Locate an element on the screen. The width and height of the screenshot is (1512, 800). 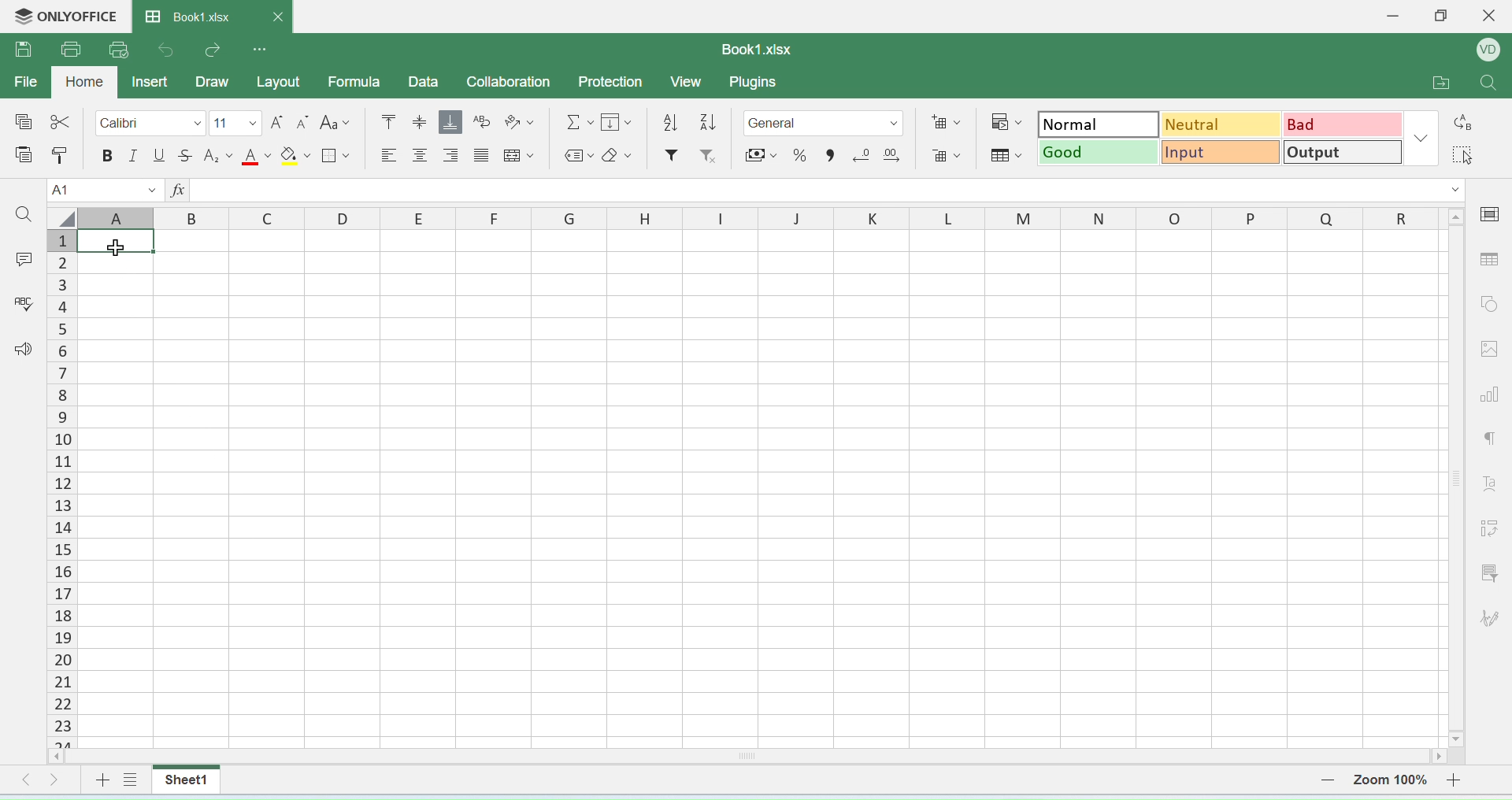
paste is located at coordinates (61, 158).